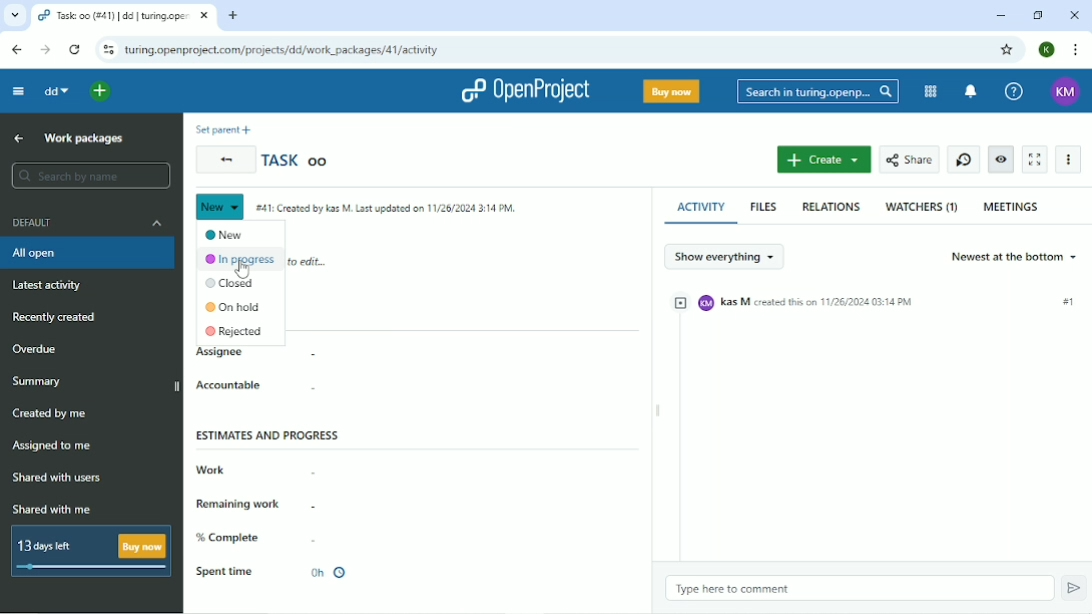  I want to click on MEETINGS, so click(1012, 206).